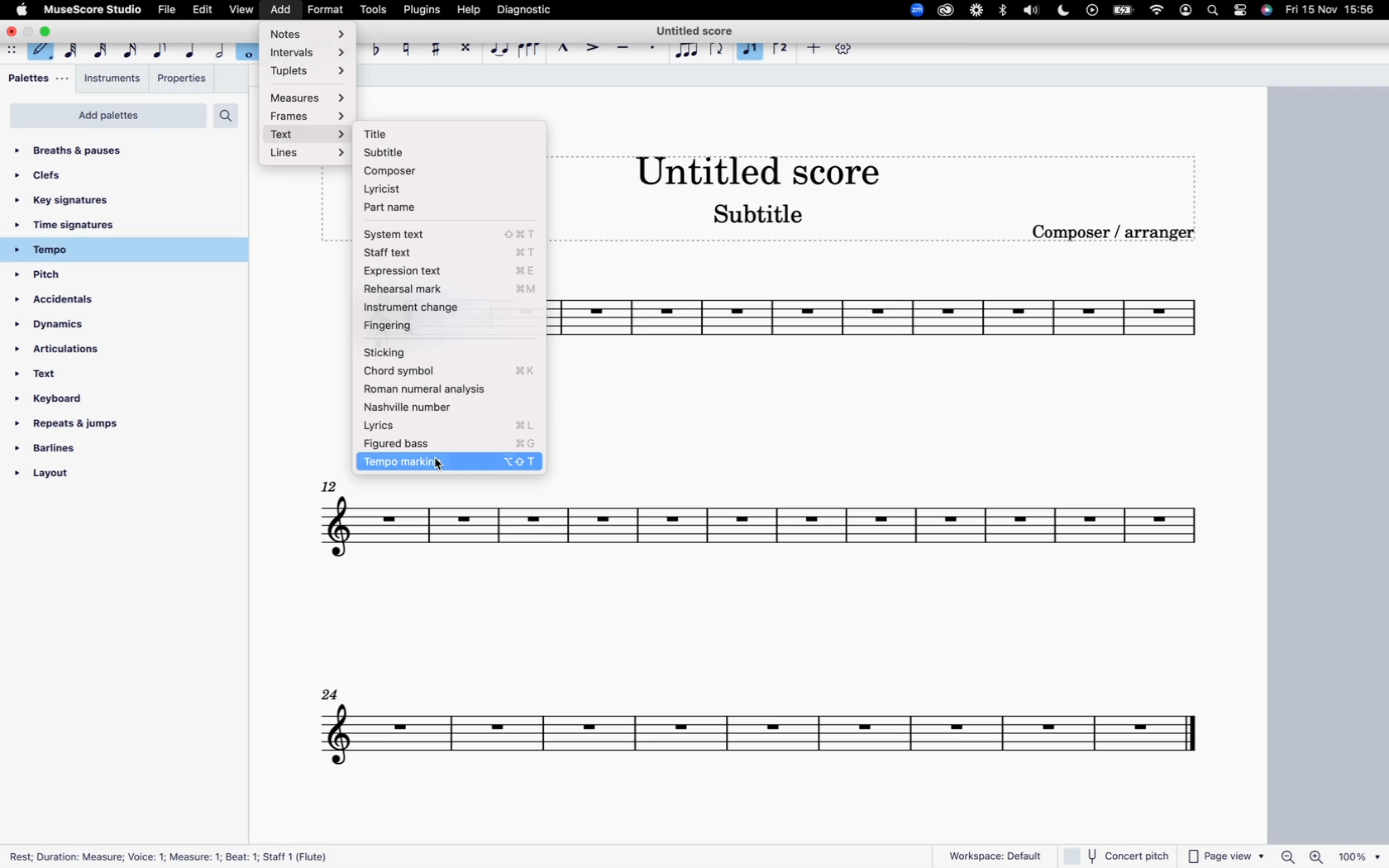 The width and height of the screenshot is (1389, 868). I want to click on frames, so click(313, 116).